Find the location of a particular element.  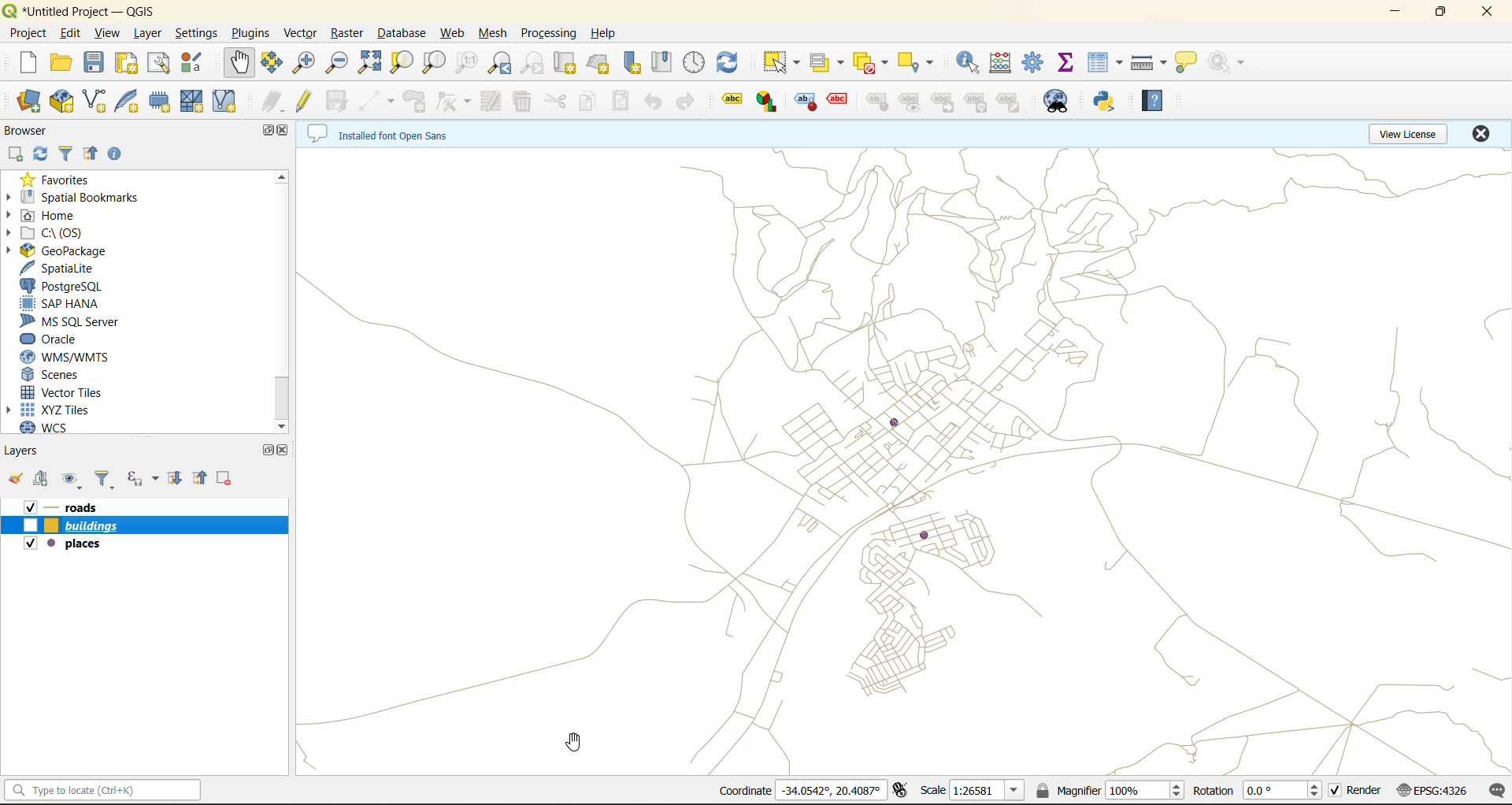

edits is located at coordinates (275, 103).